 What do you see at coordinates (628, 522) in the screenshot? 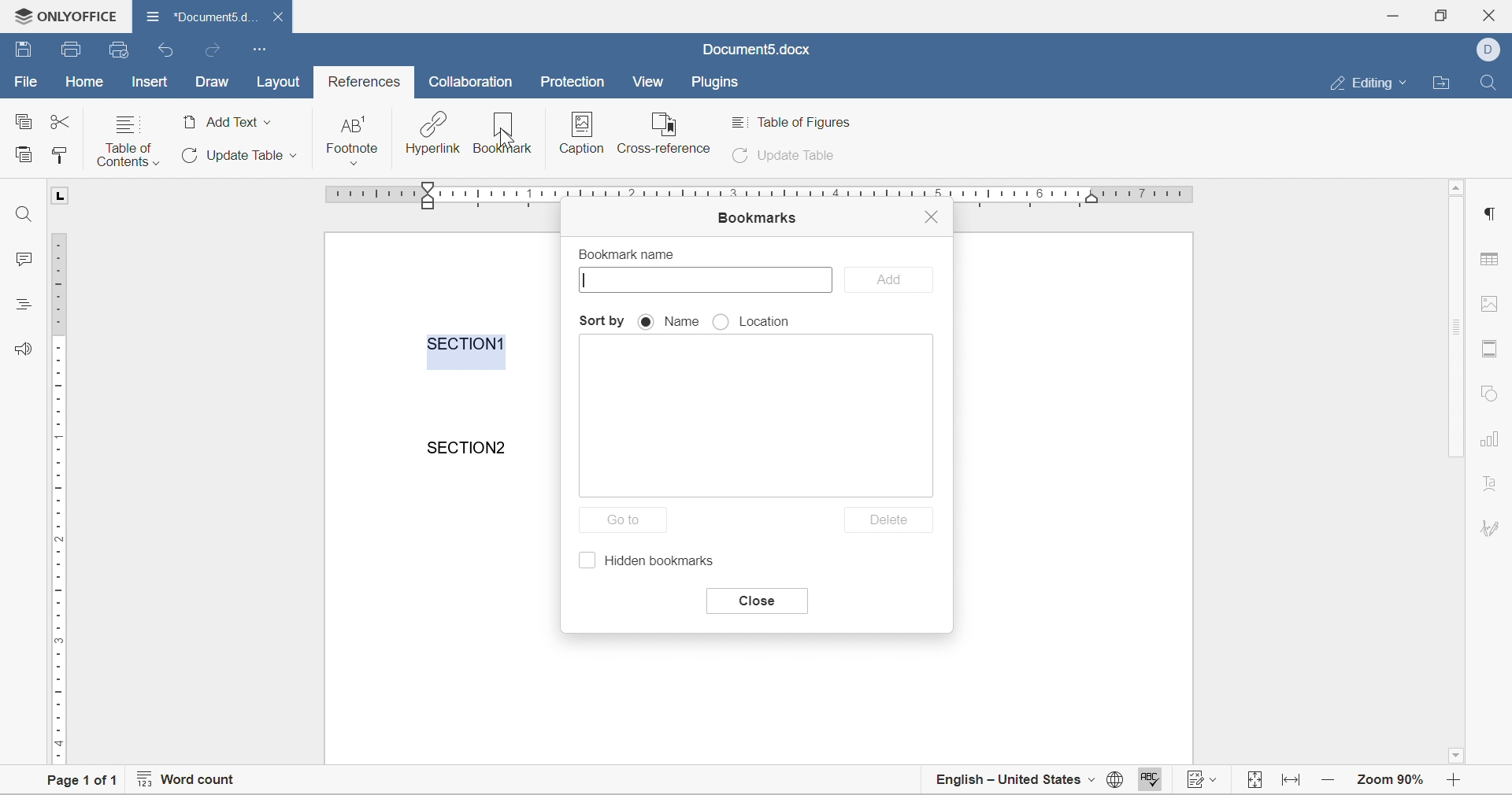
I see `go to` at bounding box center [628, 522].